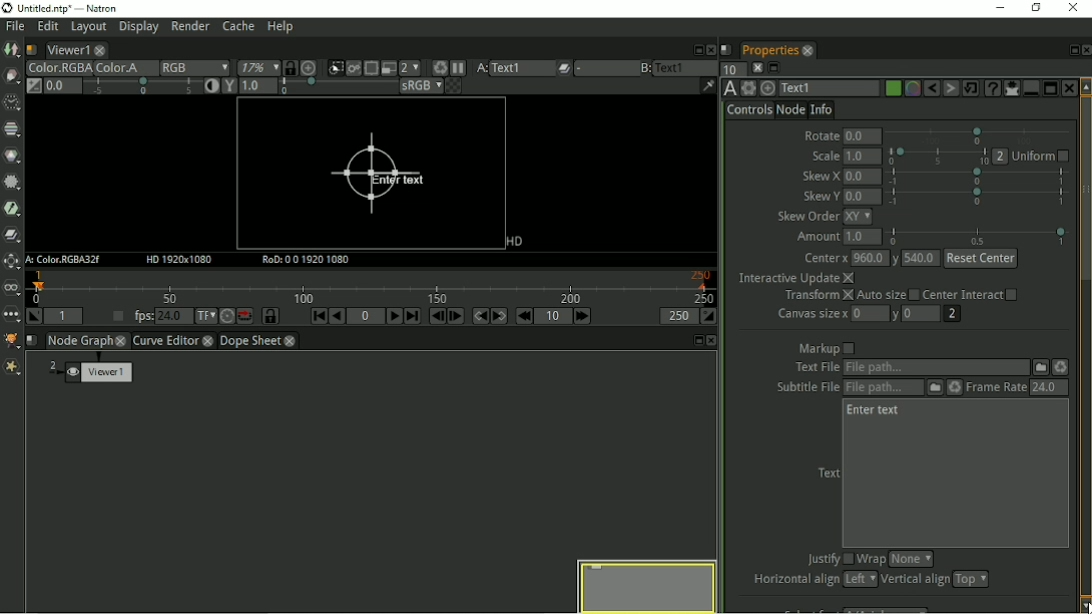 The image size is (1092, 614). What do you see at coordinates (757, 68) in the screenshot?
I see `Clear all panels` at bounding box center [757, 68].